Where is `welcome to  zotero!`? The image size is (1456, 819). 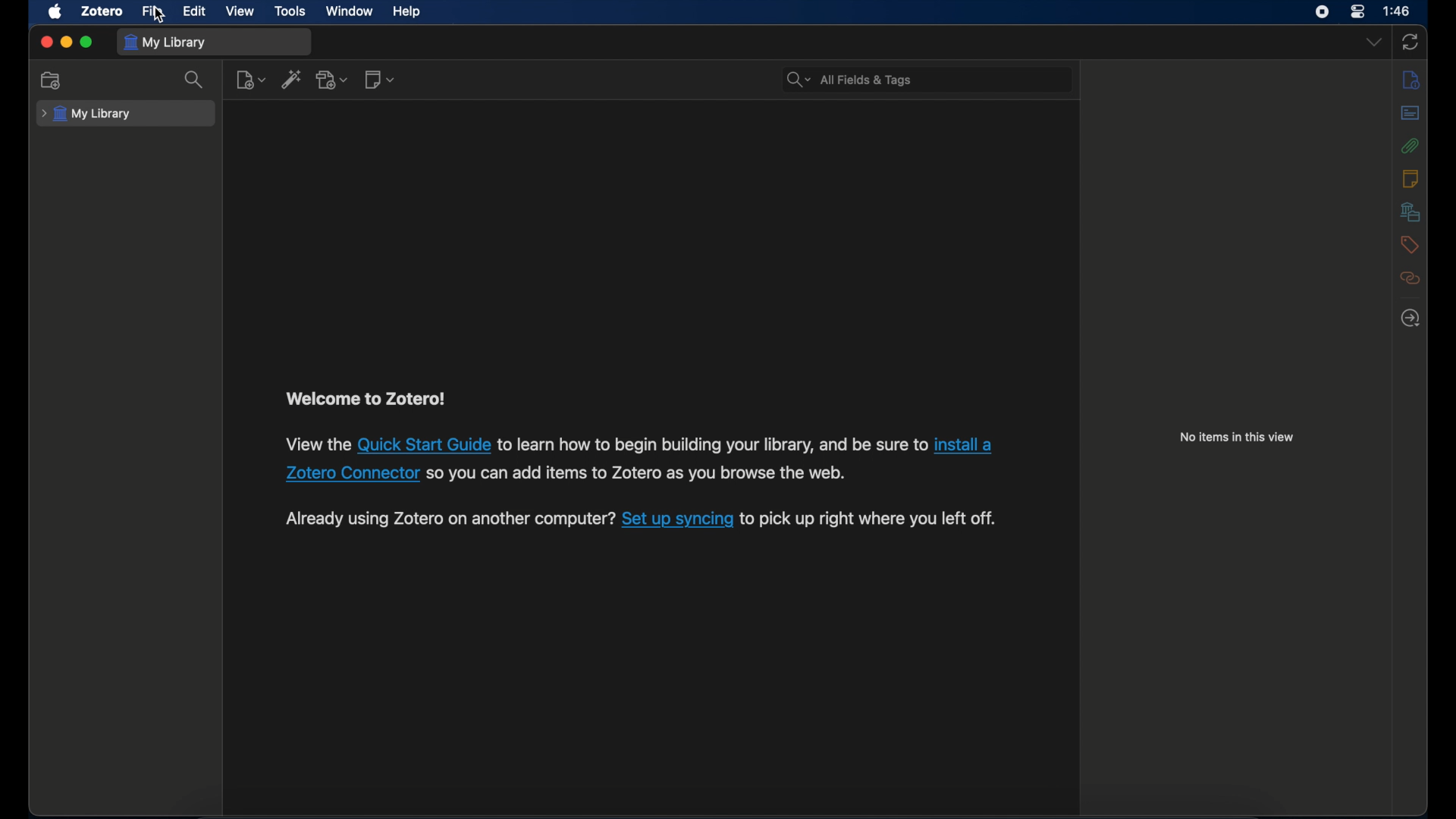 welcome to  zotero! is located at coordinates (363, 399).